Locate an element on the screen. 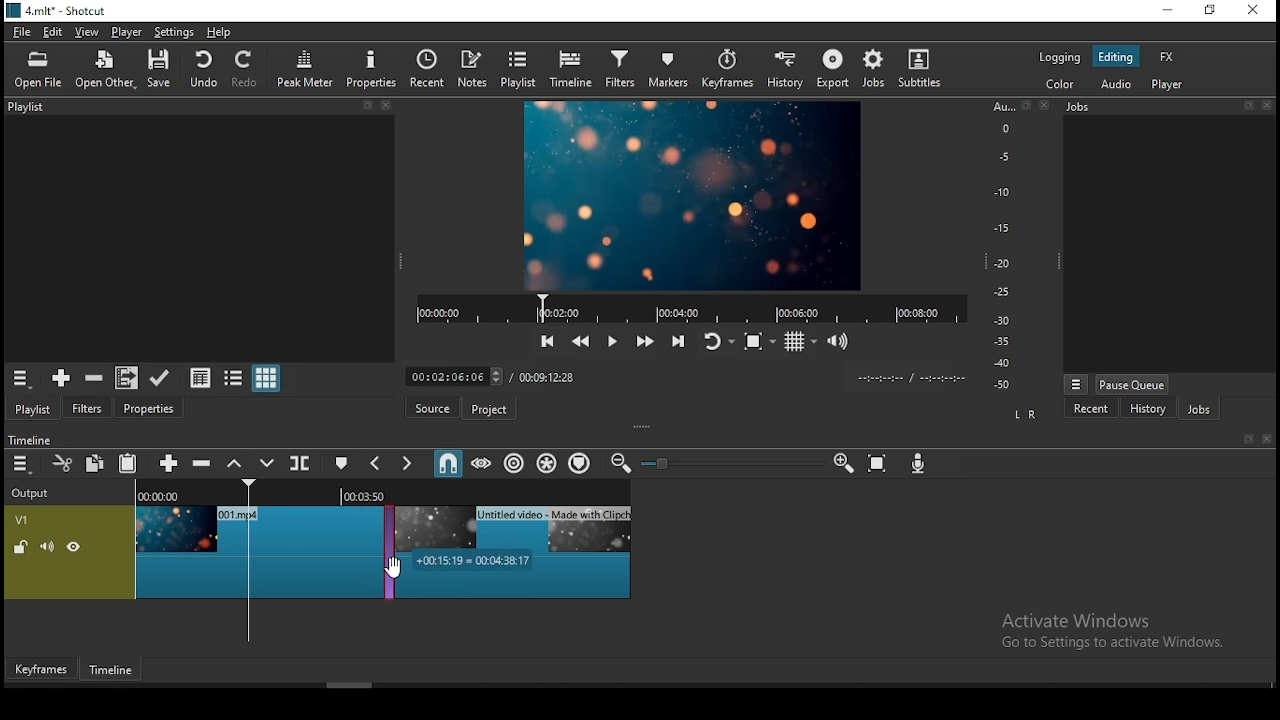 The height and width of the screenshot is (720, 1280). open file is located at coordinates (37, 70).